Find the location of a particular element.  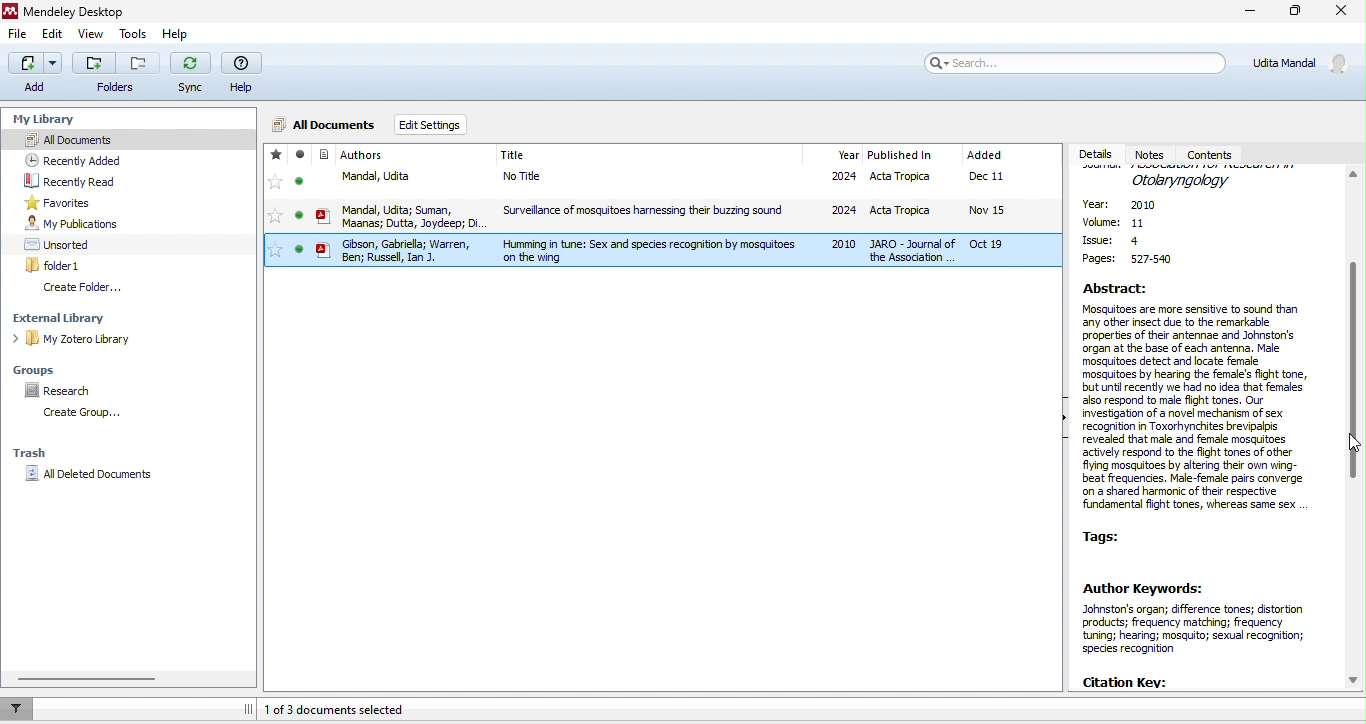

issue:4 is located at coordinates (1114, 242).